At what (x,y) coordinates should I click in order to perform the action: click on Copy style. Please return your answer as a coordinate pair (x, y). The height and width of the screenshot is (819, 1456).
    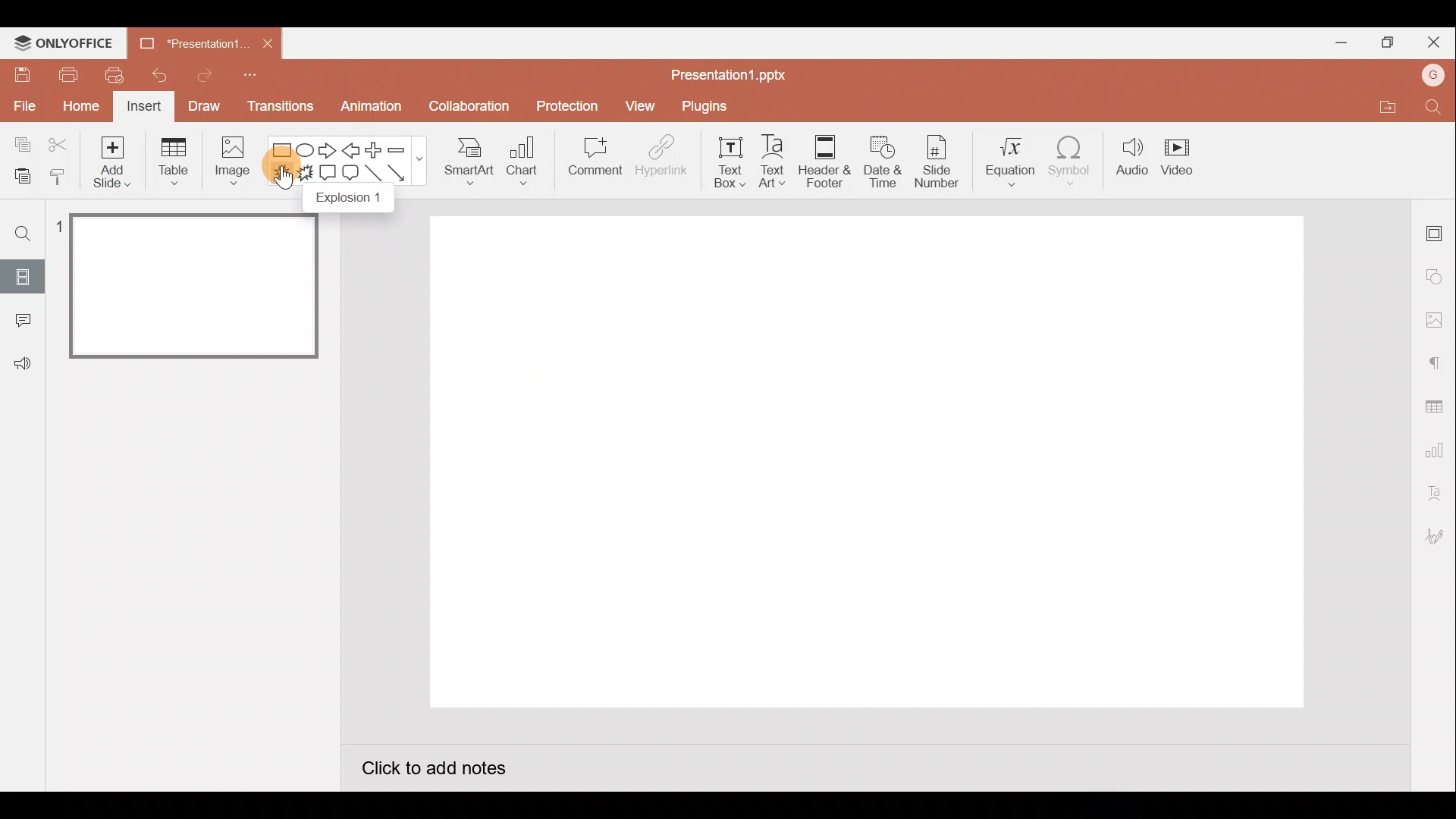
    Looking at the image, I should click on (64, 180).